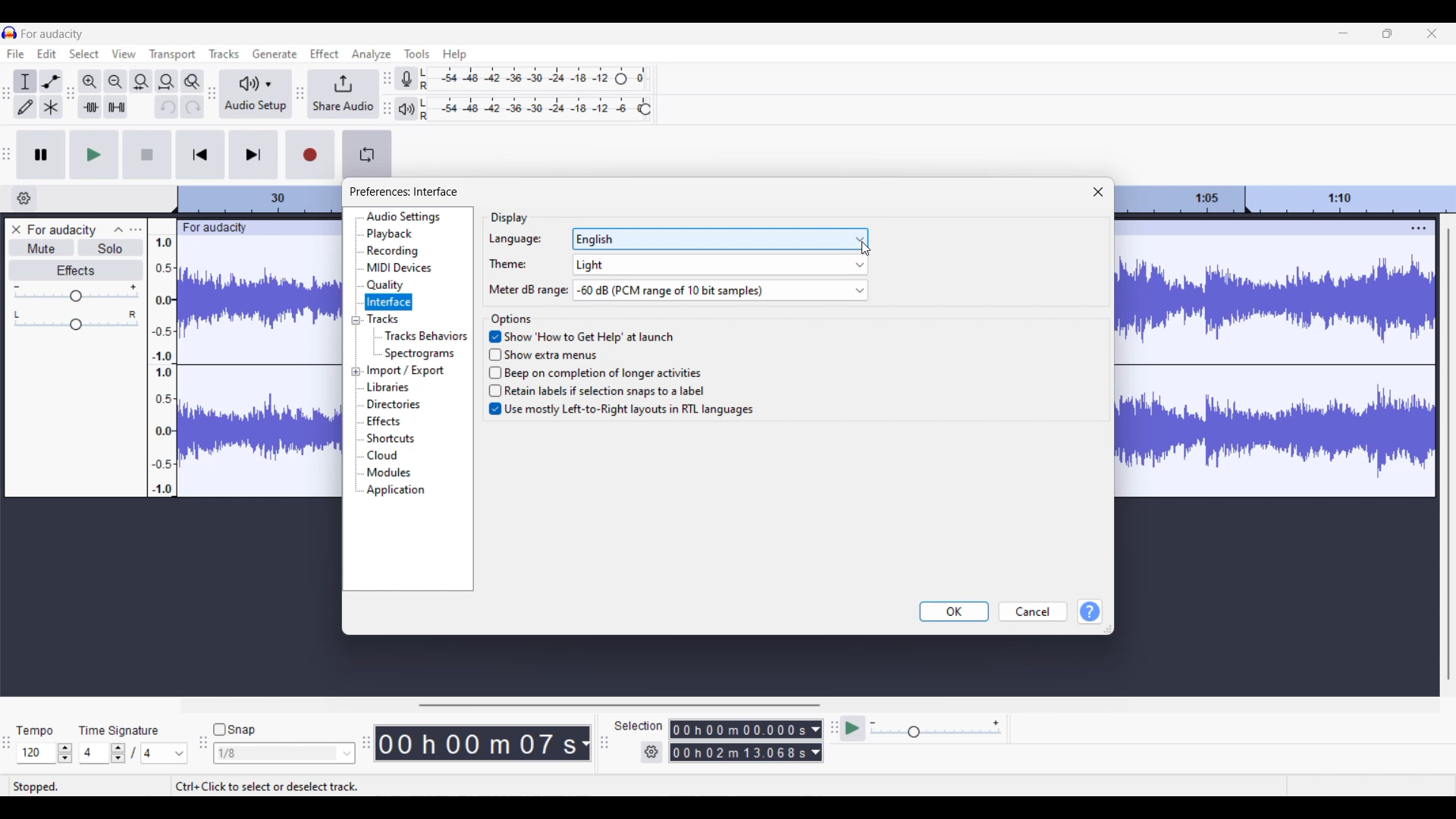 The height and width of the screenshot is (819, 1456). I want to click on Open menu, so click(136, 231).